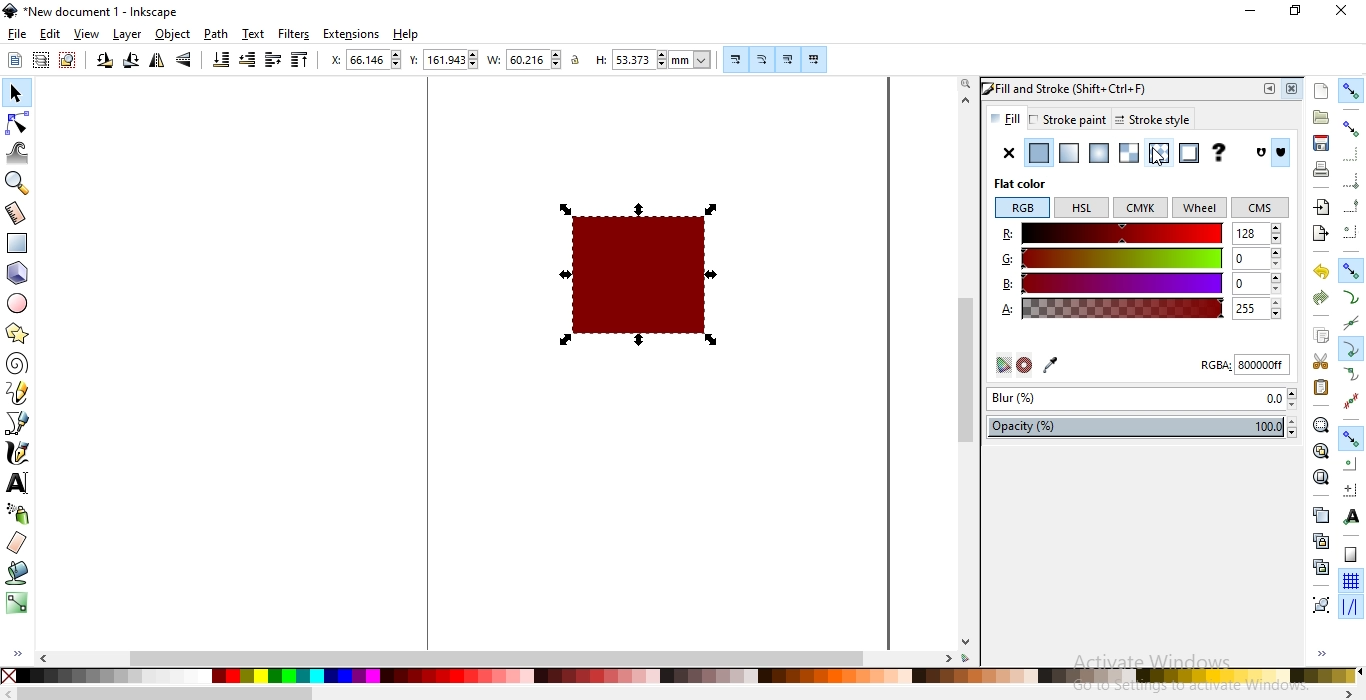 Image resolution: width=1366 pixels, height=700 pixels. Describe the element at coordinates (1322, 539) in the screenshot. I see `create a clone` at that location.